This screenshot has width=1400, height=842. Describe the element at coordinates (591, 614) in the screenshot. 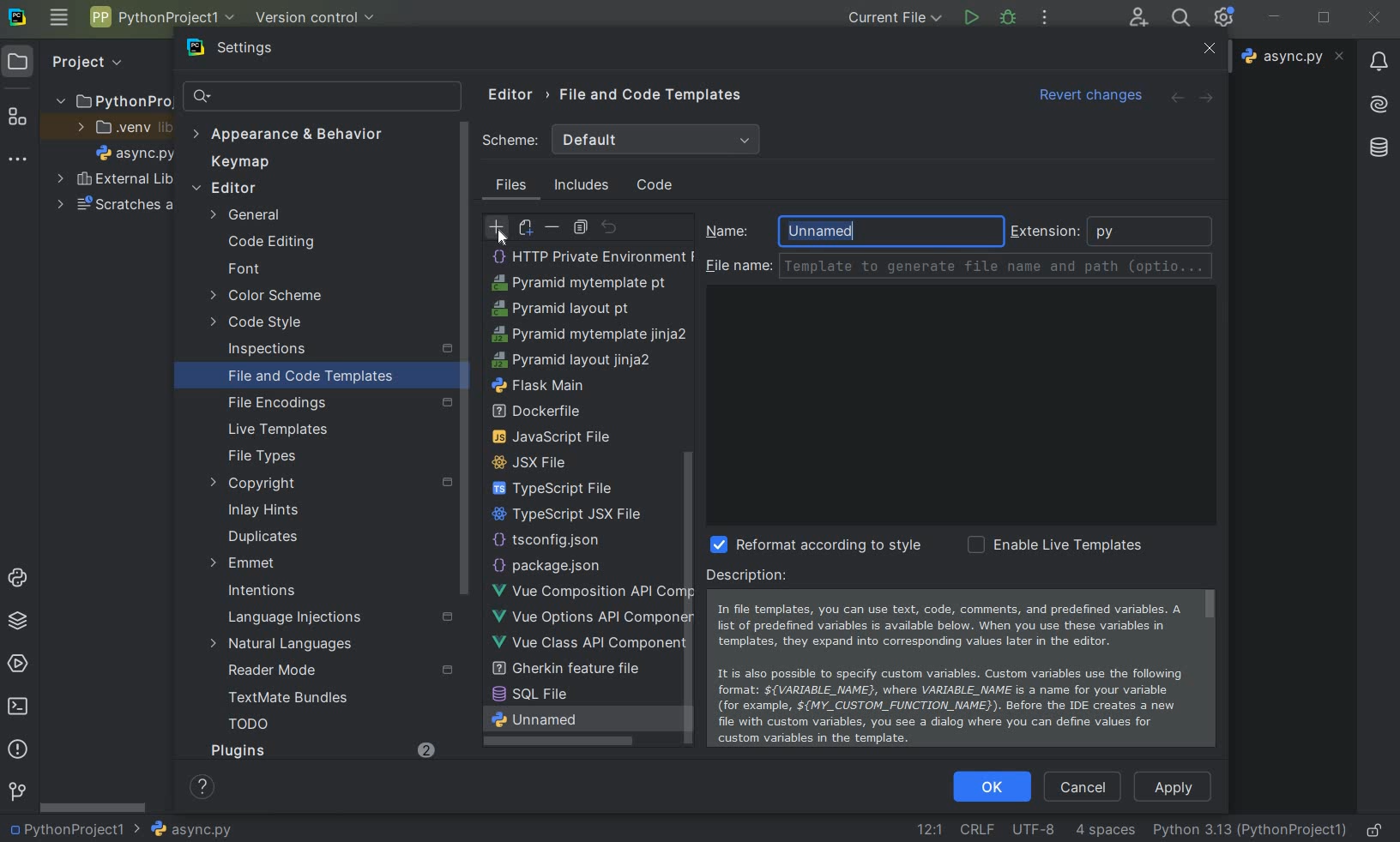

I see `HTTP Private Environment` at that location.